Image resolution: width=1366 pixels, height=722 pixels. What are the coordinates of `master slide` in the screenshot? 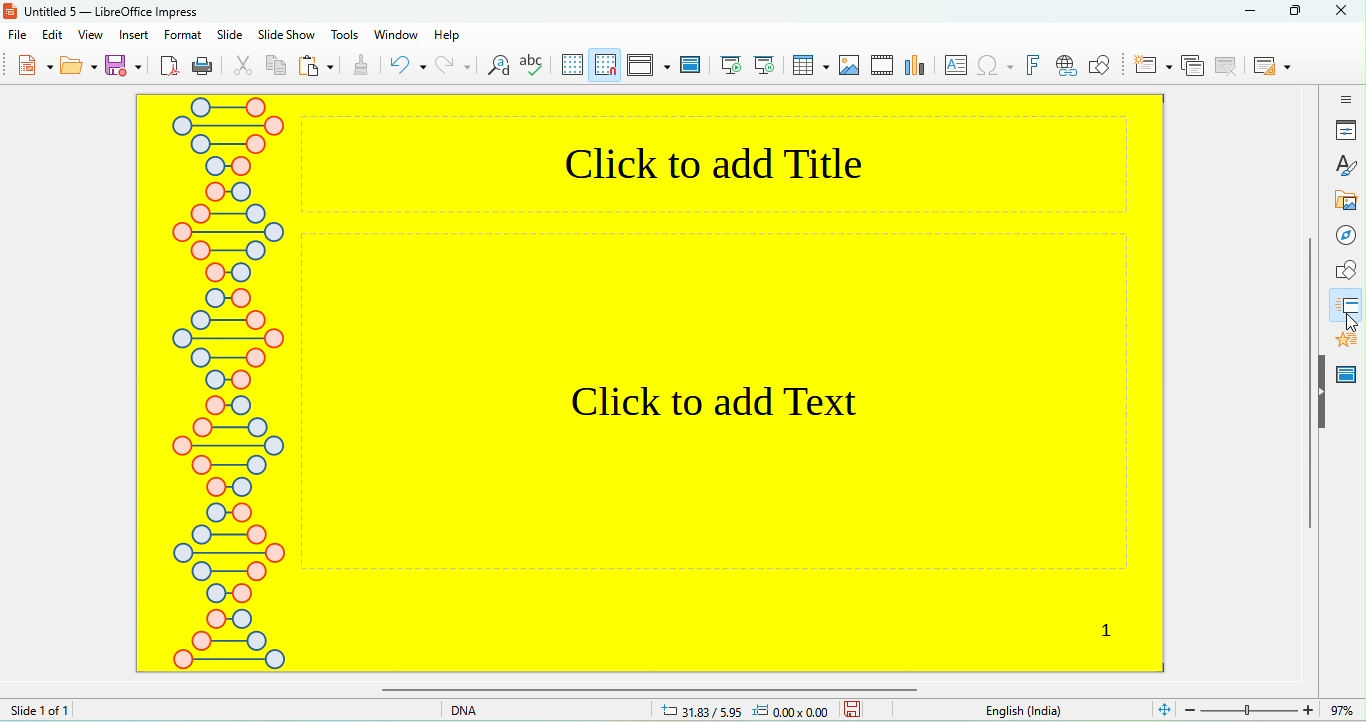 It's located at (1349, 372).